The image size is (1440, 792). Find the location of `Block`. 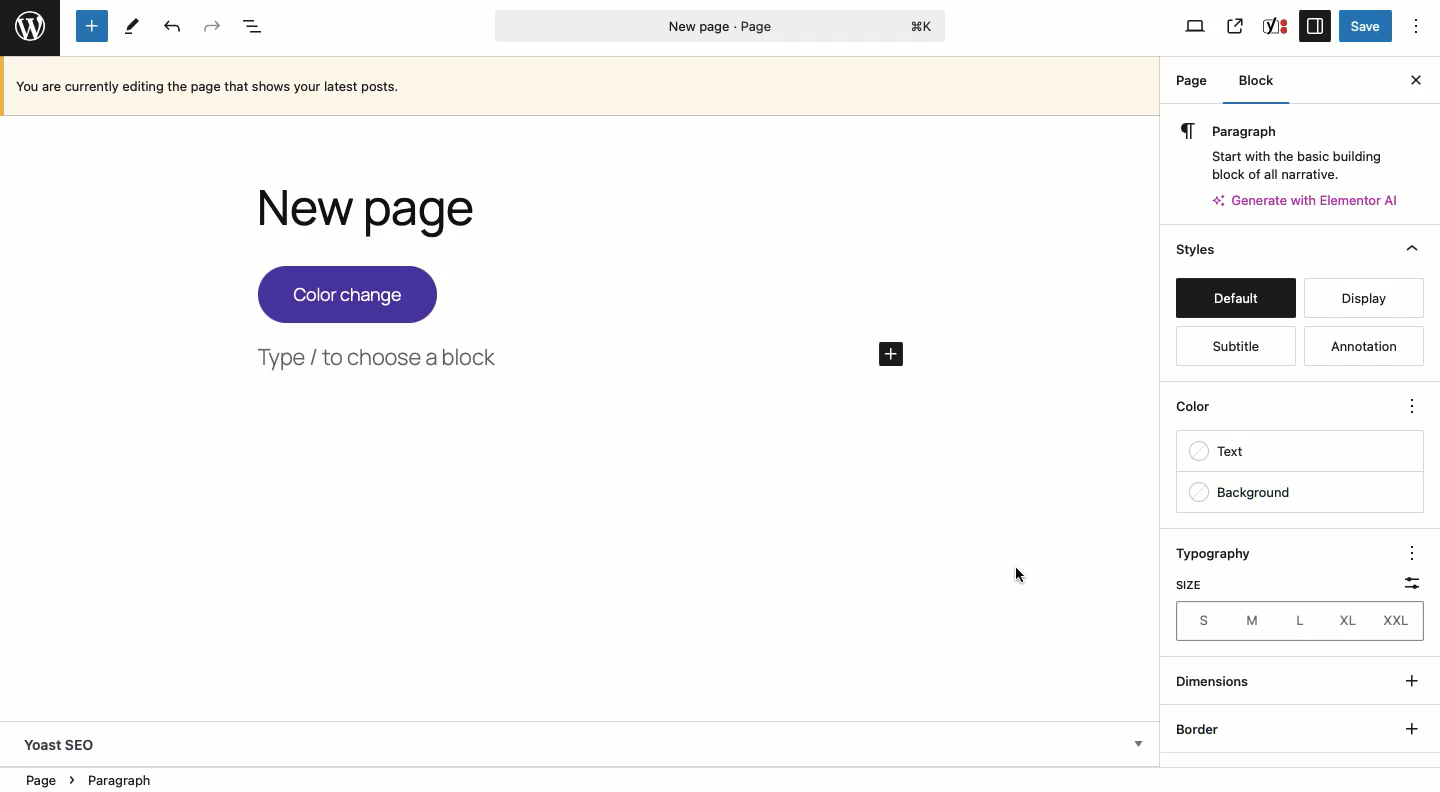

Block is located at coordinates (1257, 87).